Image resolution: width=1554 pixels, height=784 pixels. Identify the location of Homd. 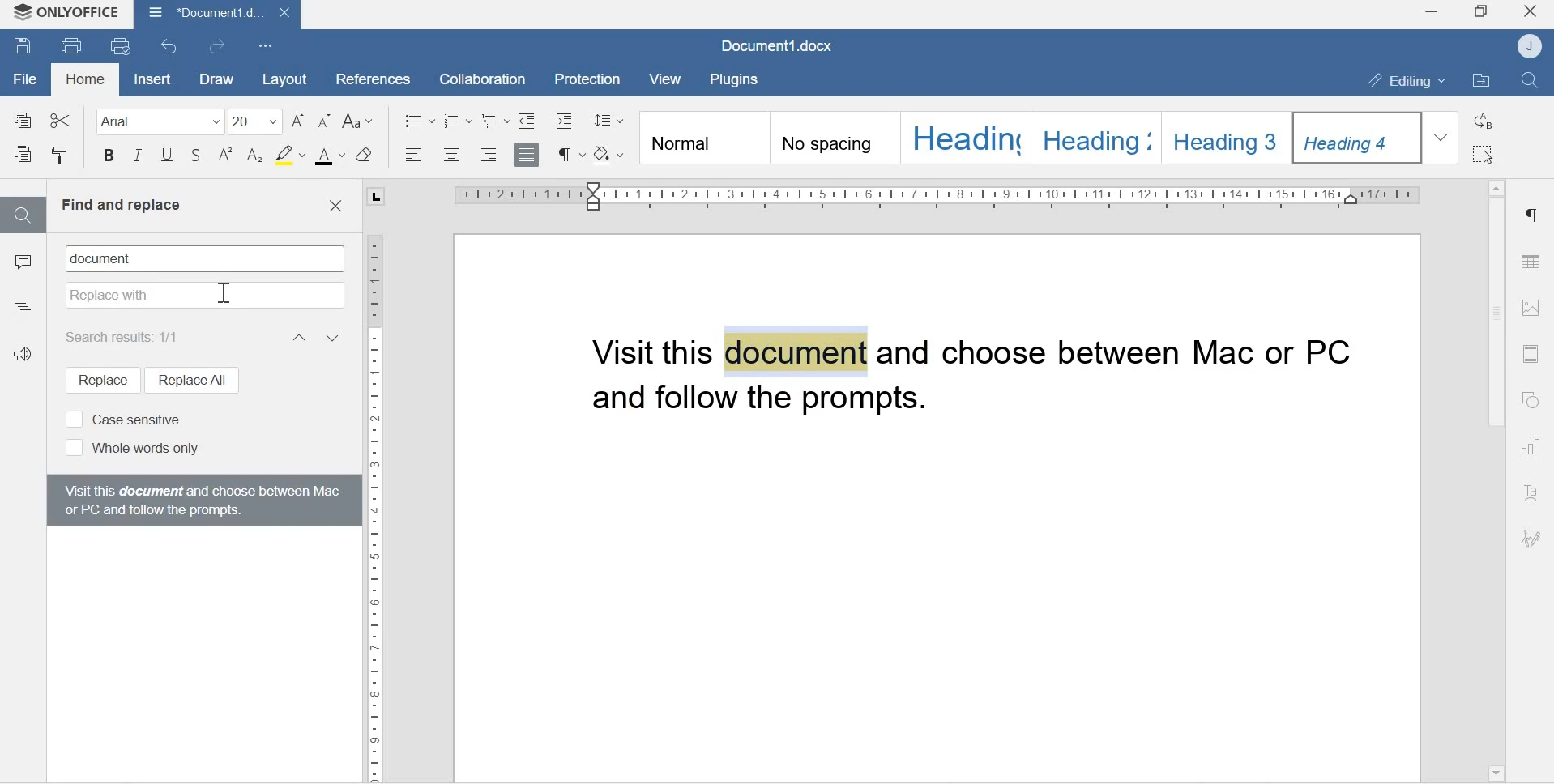
(86, 81).